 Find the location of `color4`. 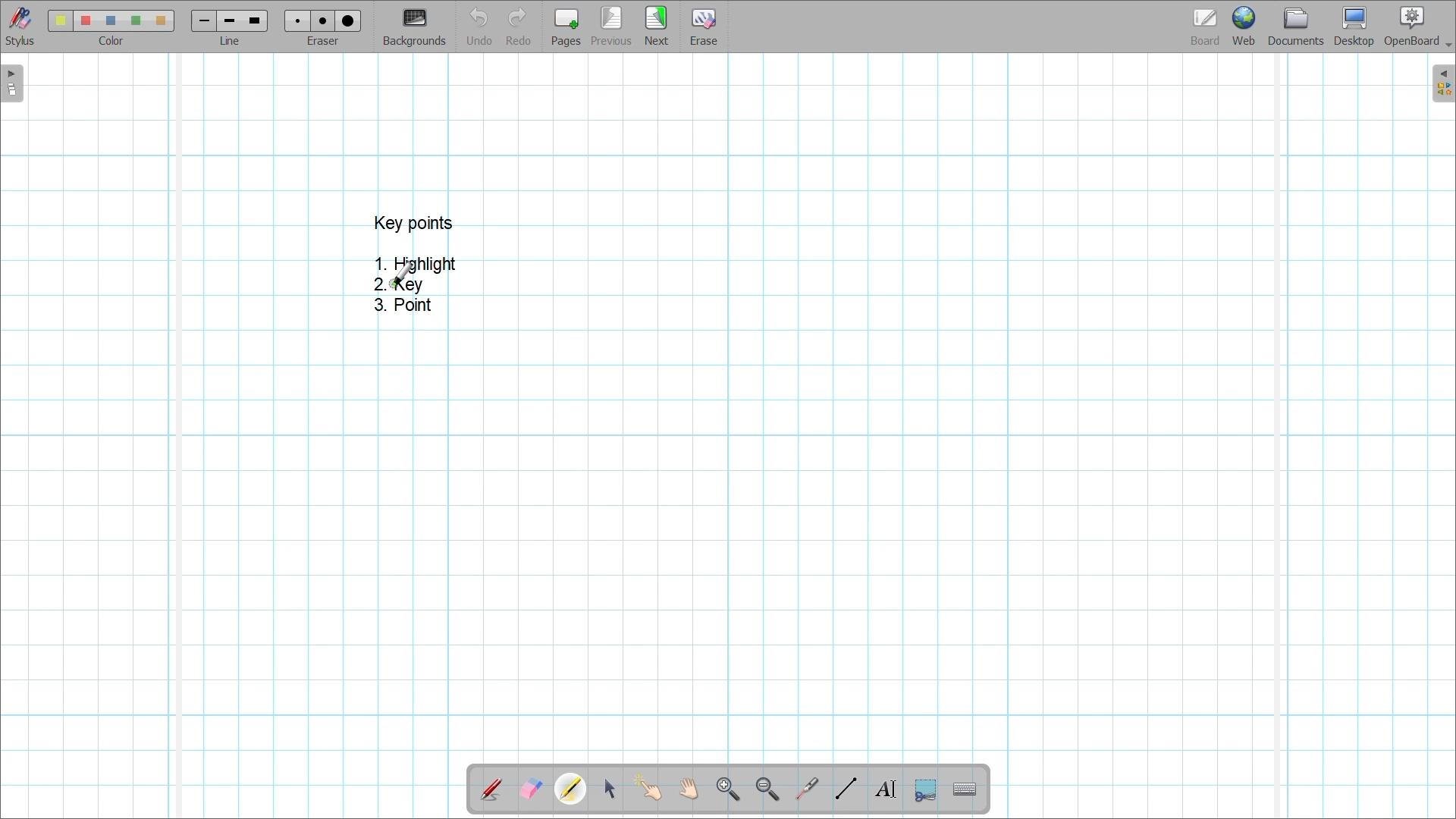

color4 is located at coordinates (135, 20).